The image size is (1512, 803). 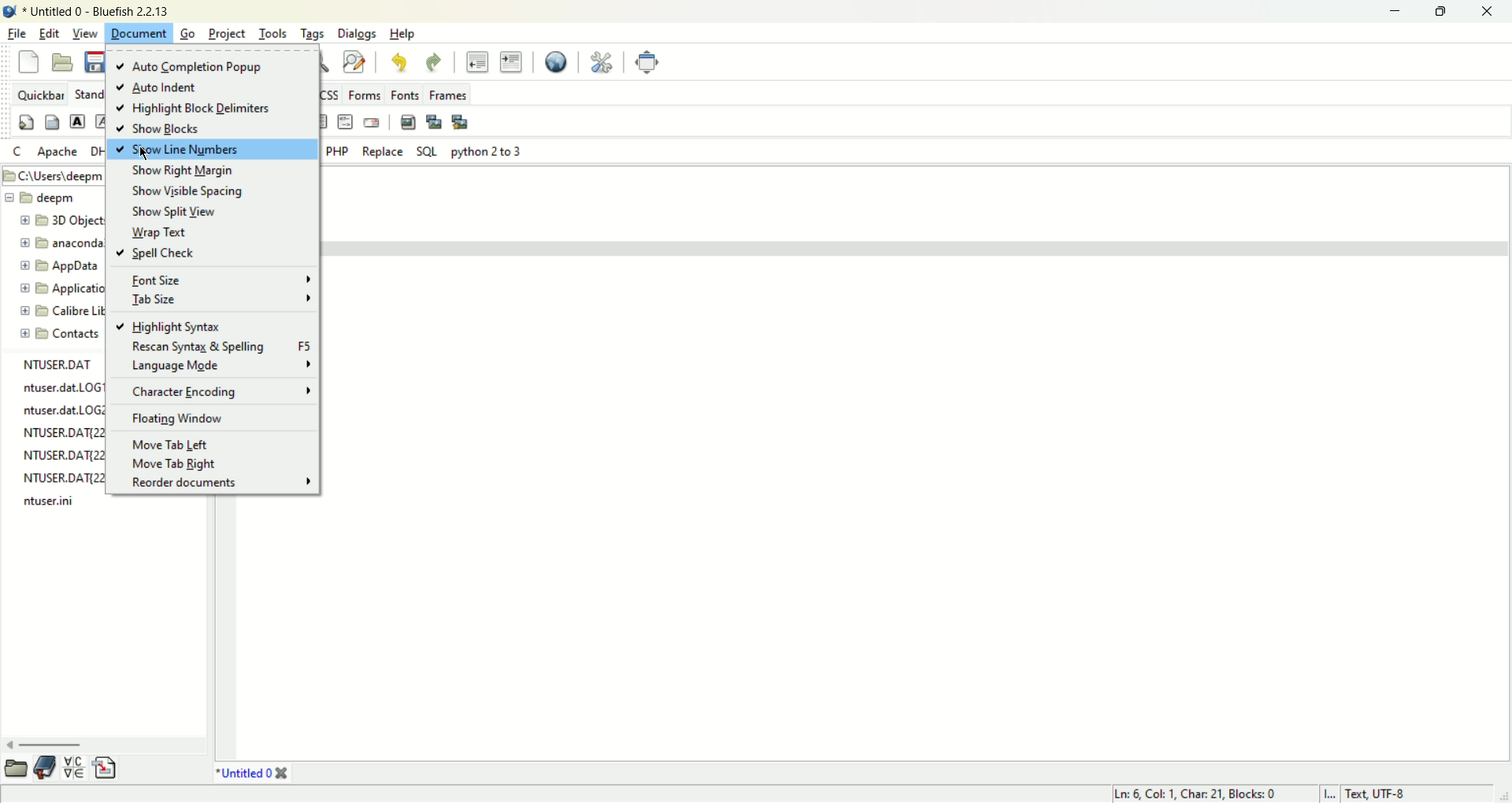 I want to click on ntuser.dat.LOG!, so click(x=61, y=387).